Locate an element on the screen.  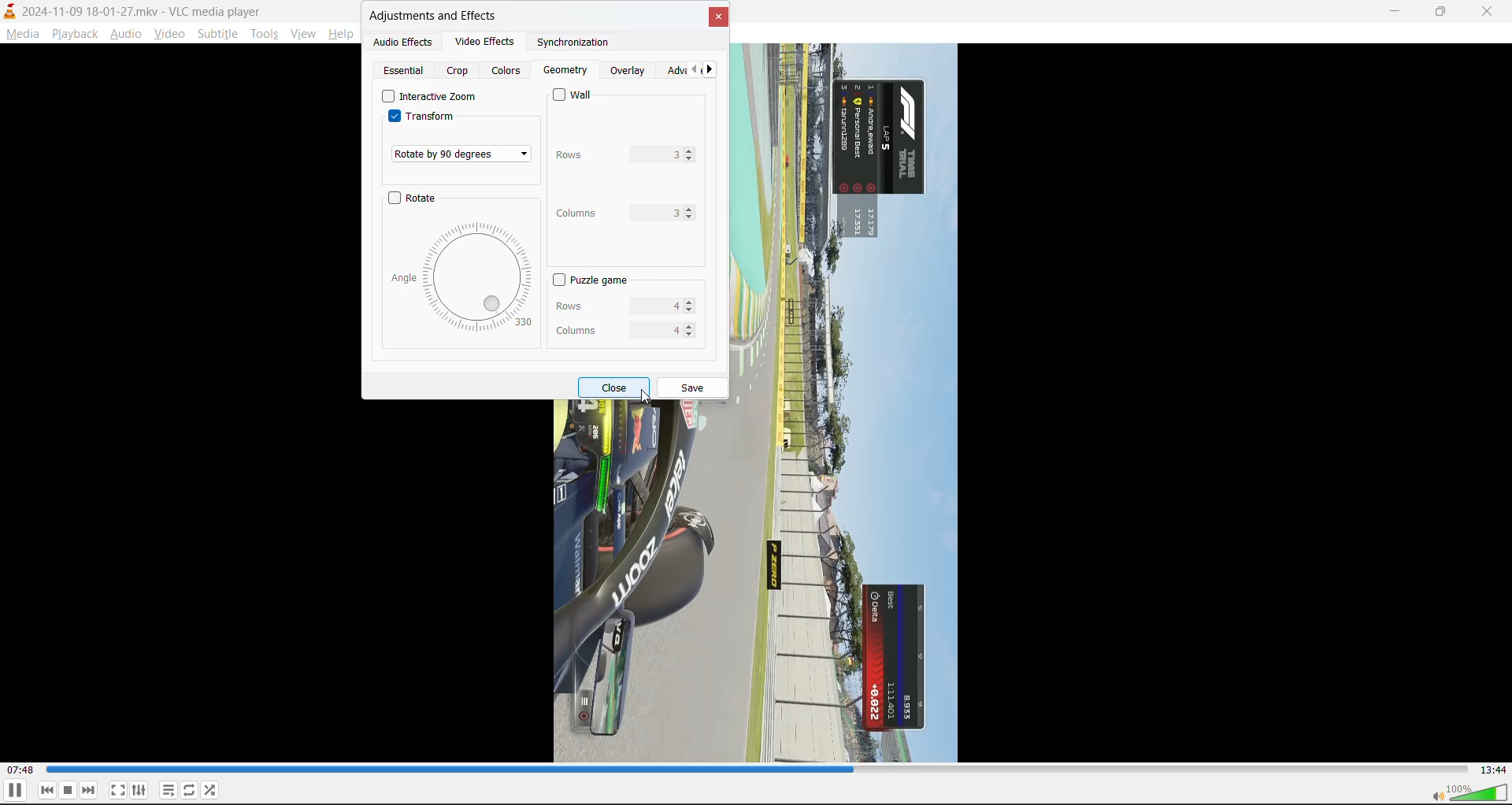
maximize is located at coordinates (1444, 14).